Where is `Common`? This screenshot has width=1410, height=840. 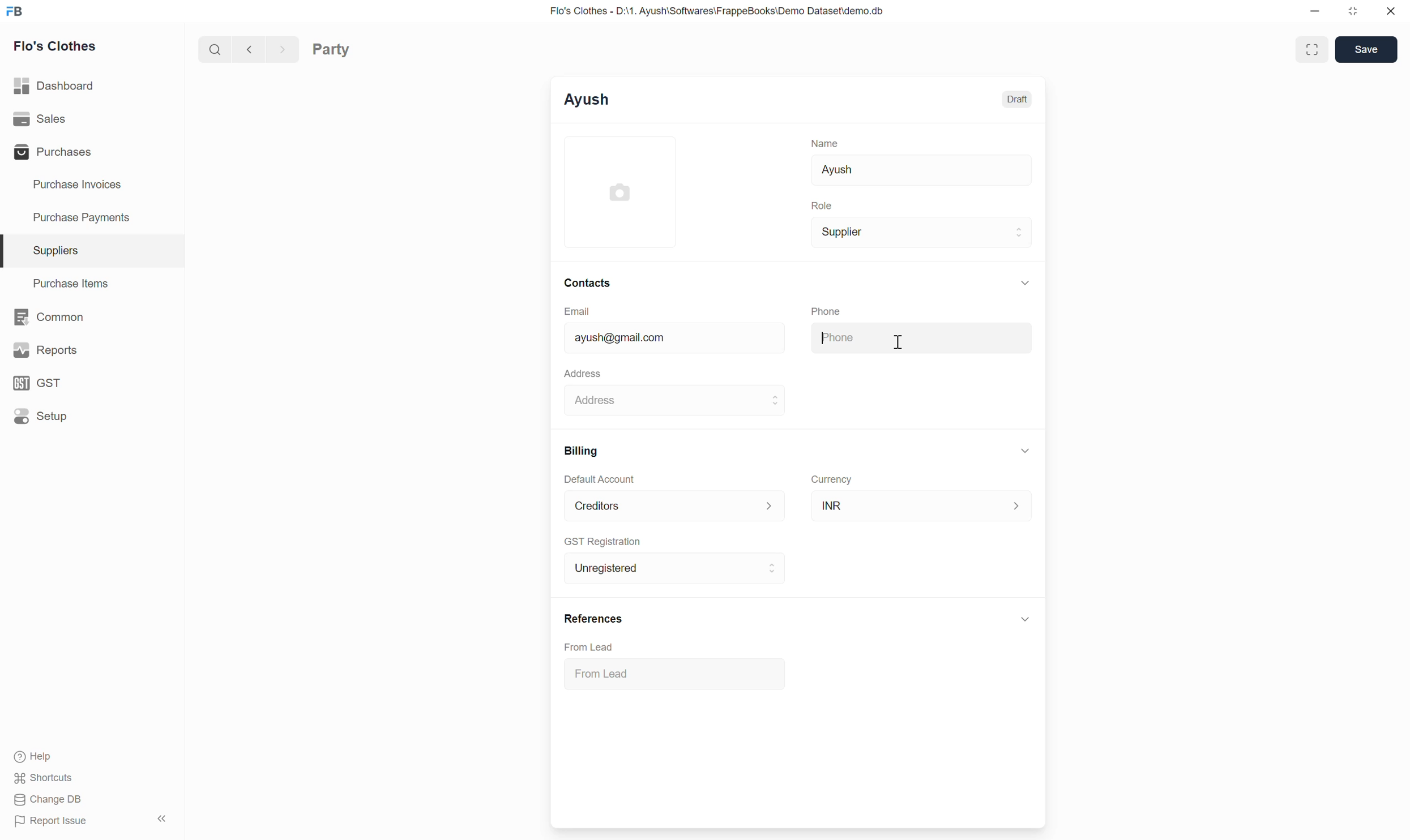 Common is located at coordinates (91, 317).